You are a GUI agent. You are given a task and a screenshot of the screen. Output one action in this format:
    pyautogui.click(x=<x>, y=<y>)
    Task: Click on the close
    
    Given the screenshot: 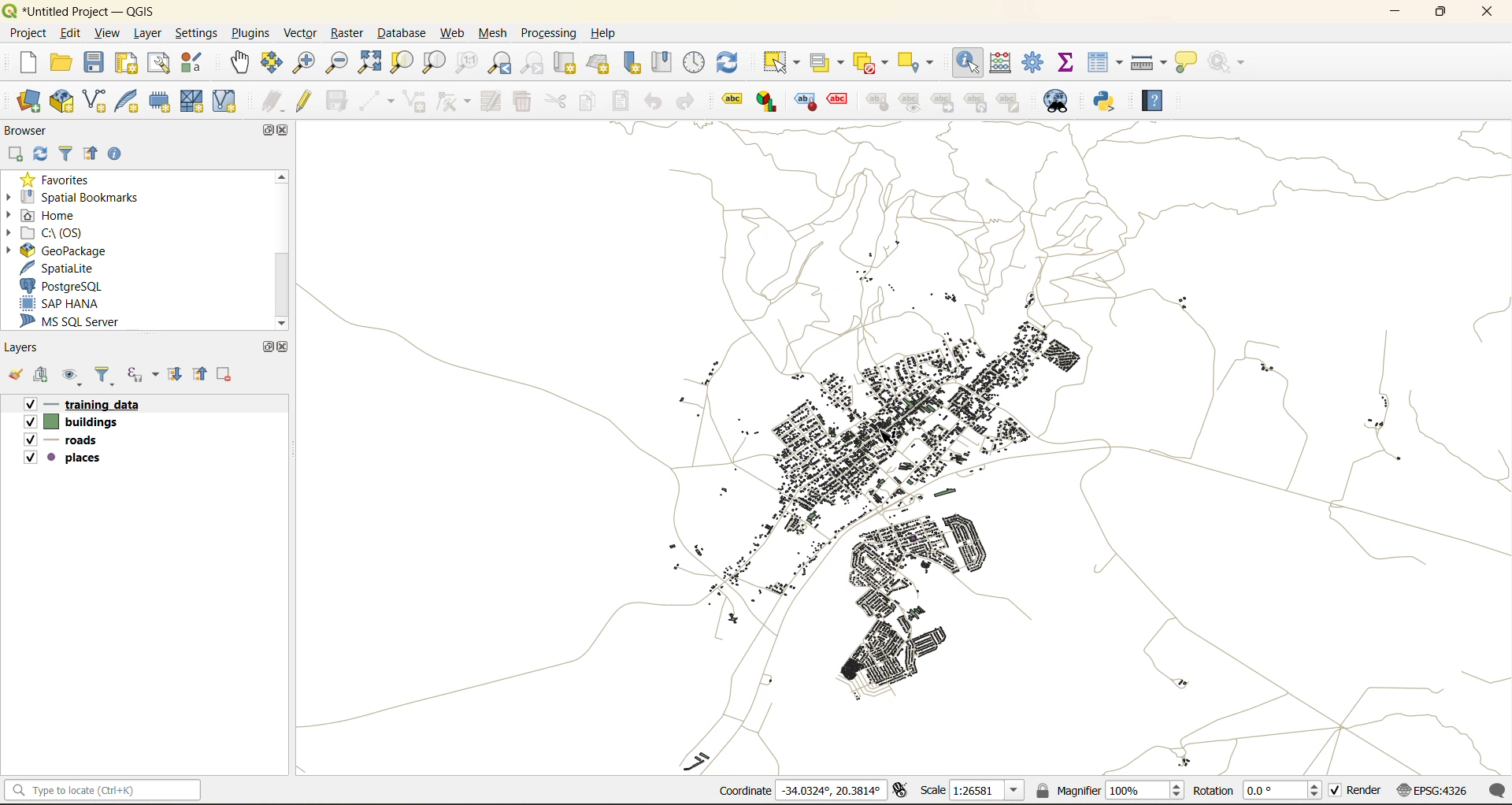 What is the action you would take?
    pyautogui.click(x=1479, y=13)
    